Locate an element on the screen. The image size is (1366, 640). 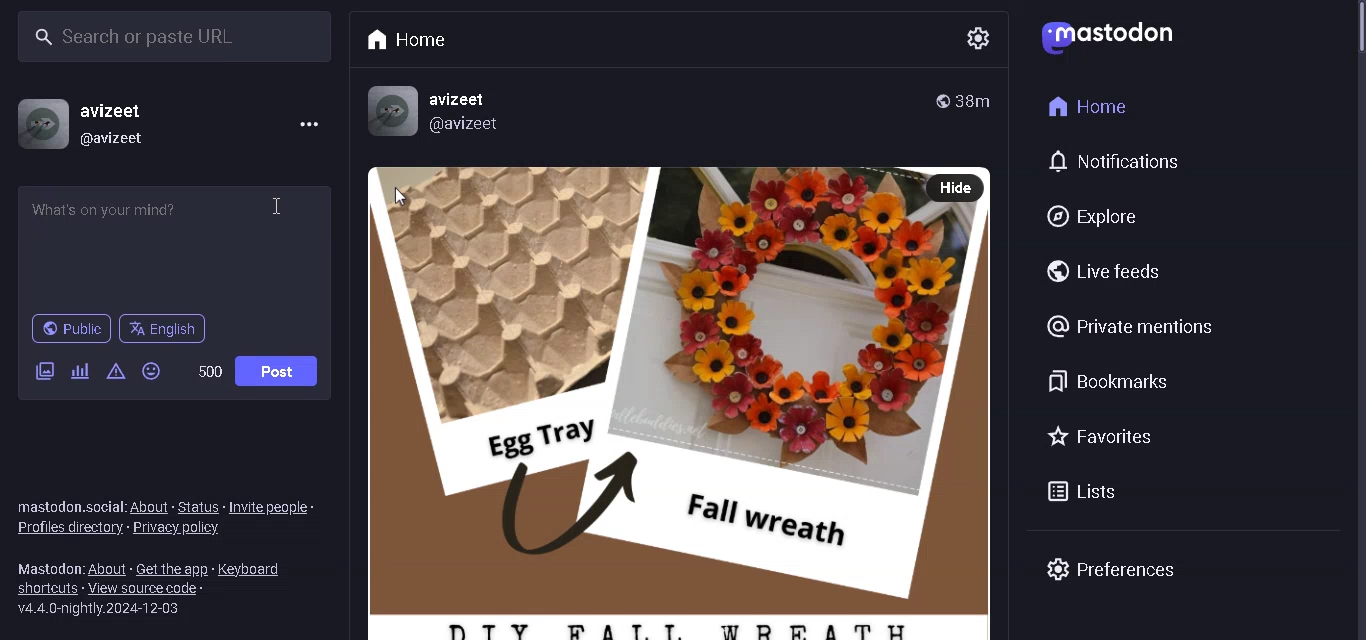
add poll is located at coordinates (78, 370).